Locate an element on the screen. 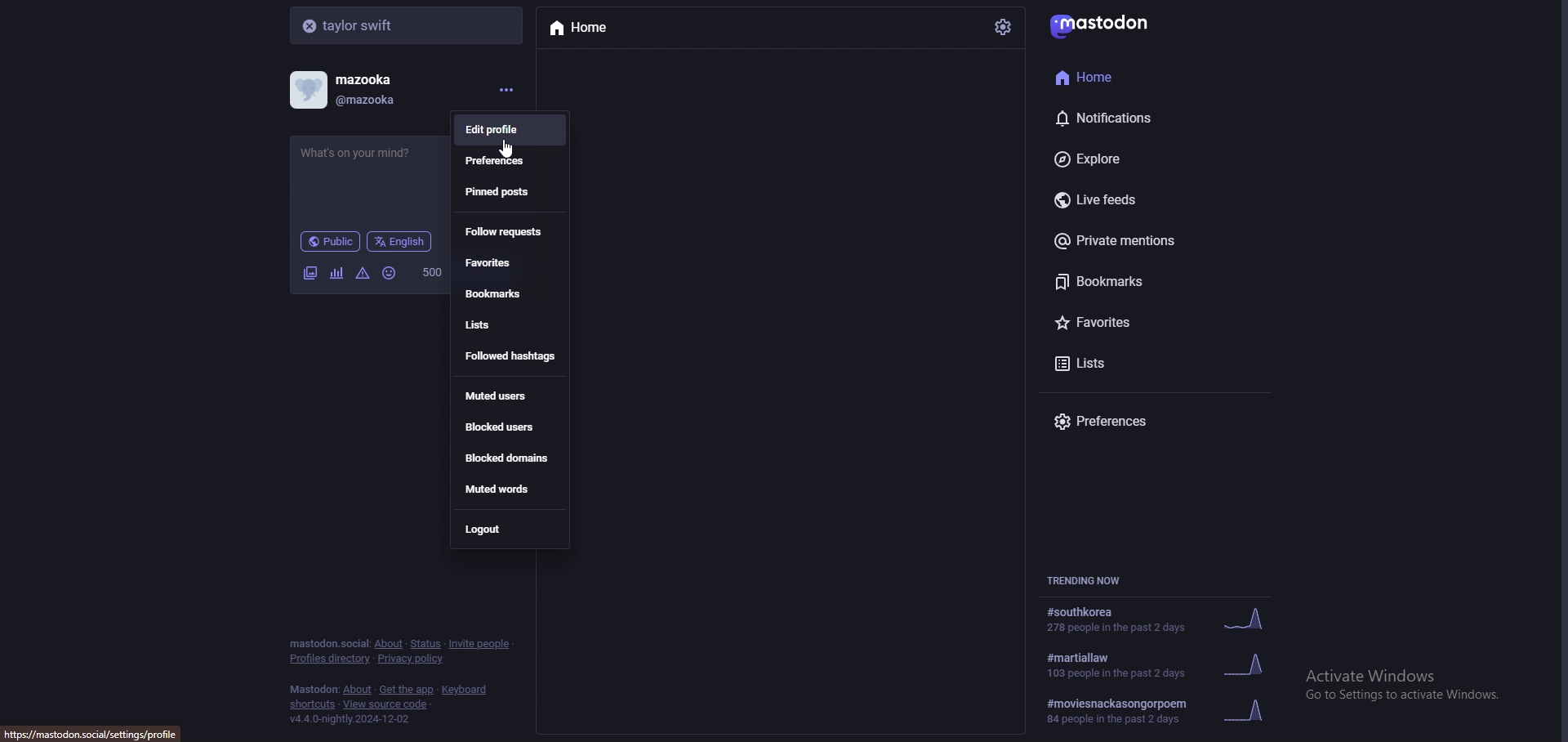 This screenshot has height=742, width=1568. trending now is located at coordinates (1094, 581).